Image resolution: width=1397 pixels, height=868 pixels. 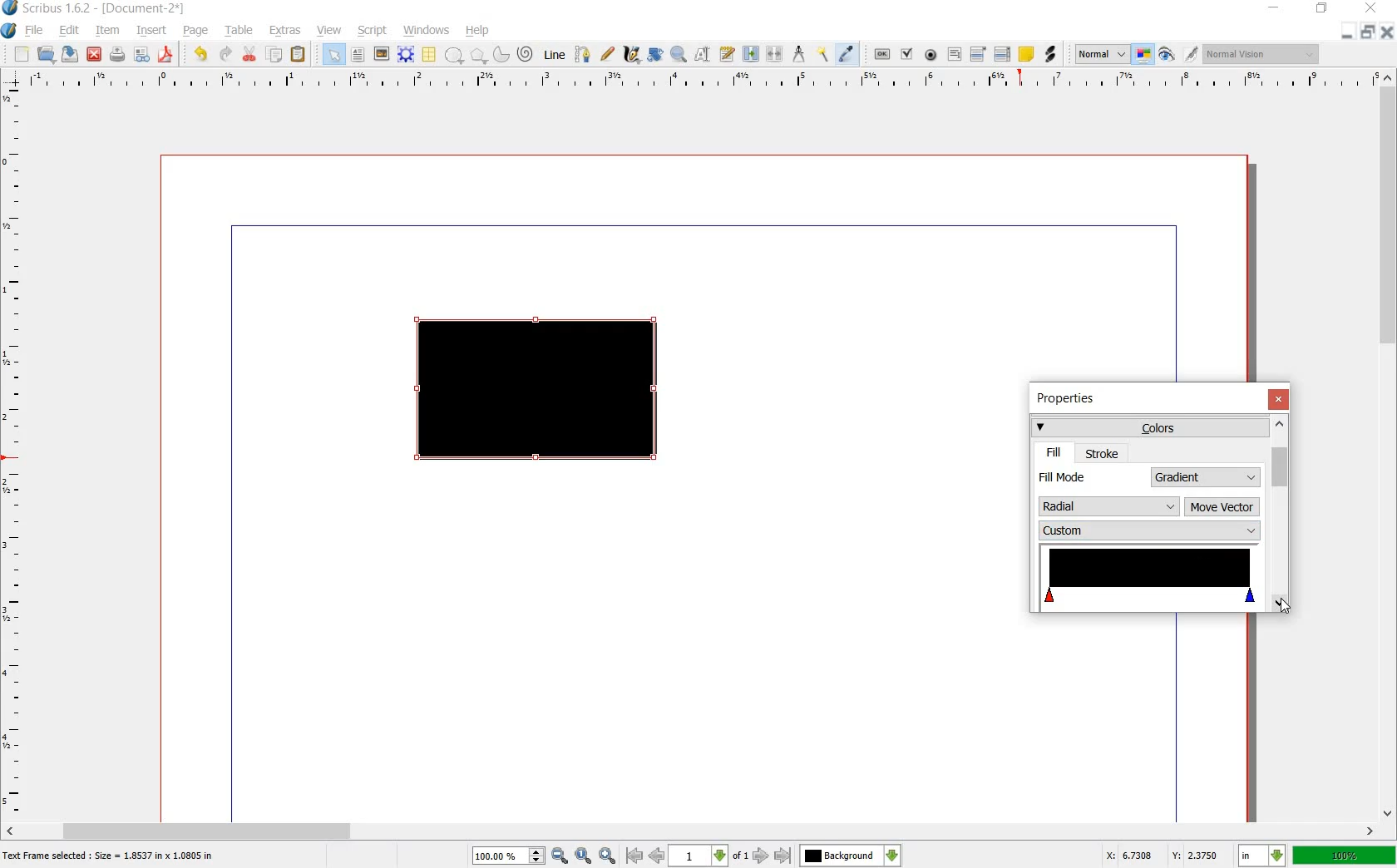 What do you see at coordinates (141, 55) in the screenshot?
I see `preflight verifier` at bounding box center [141, 55].